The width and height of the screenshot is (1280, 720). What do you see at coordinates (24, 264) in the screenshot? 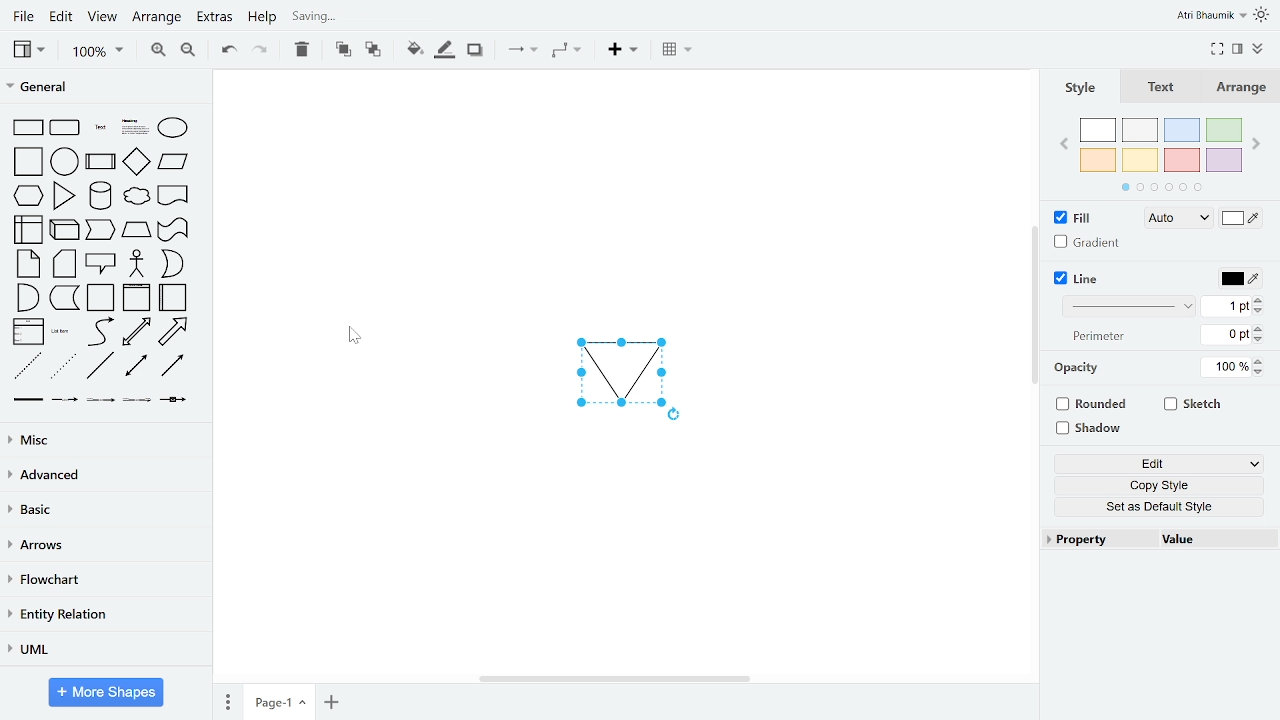
I see `note` at bounding box center [24, 264].